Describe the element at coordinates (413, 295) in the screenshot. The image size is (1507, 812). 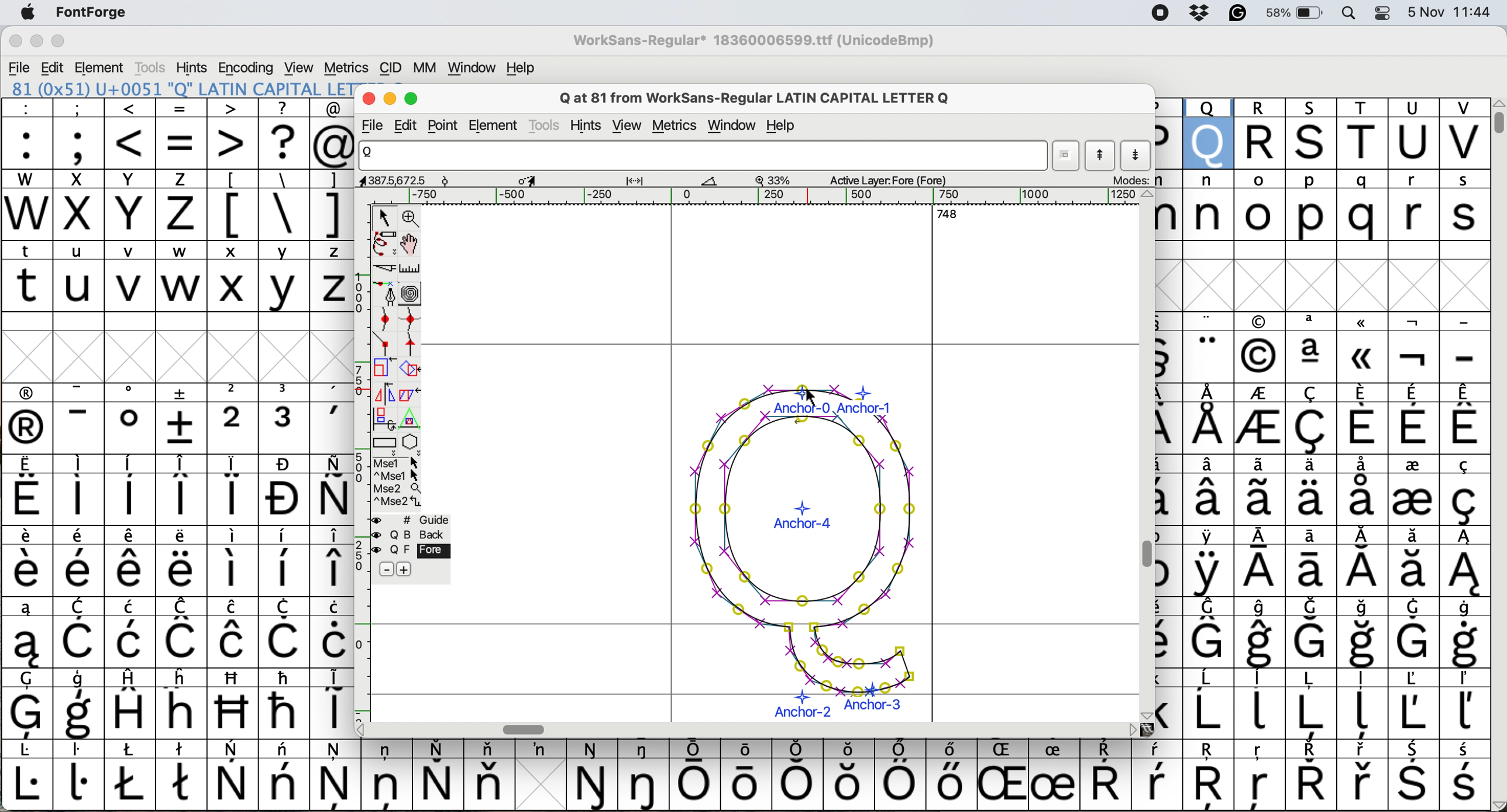
I see `change whether spiro is active or not` at that location.